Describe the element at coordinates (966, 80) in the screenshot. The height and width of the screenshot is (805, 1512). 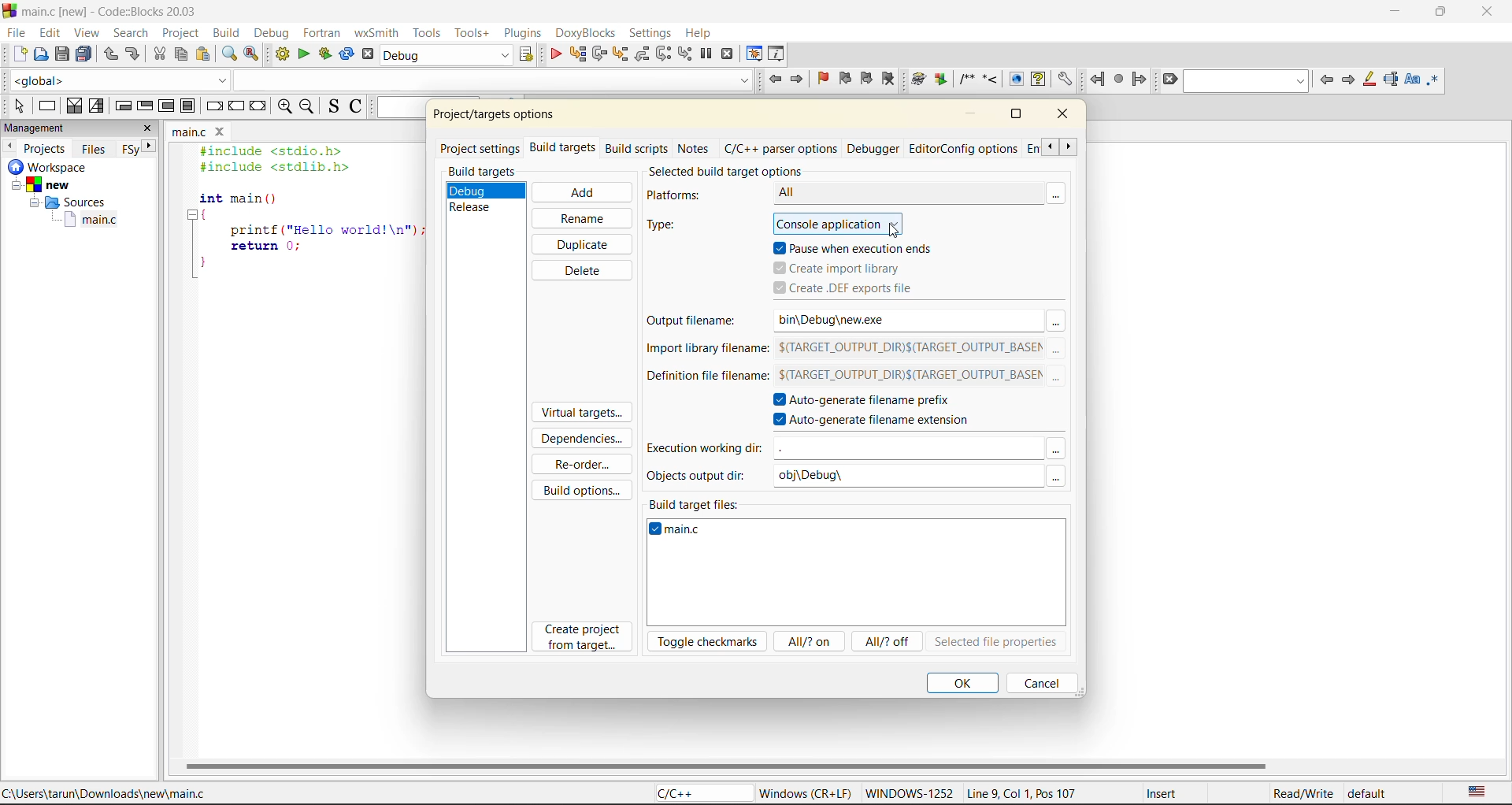
I see `Insert a comment block at the current line` at that location.